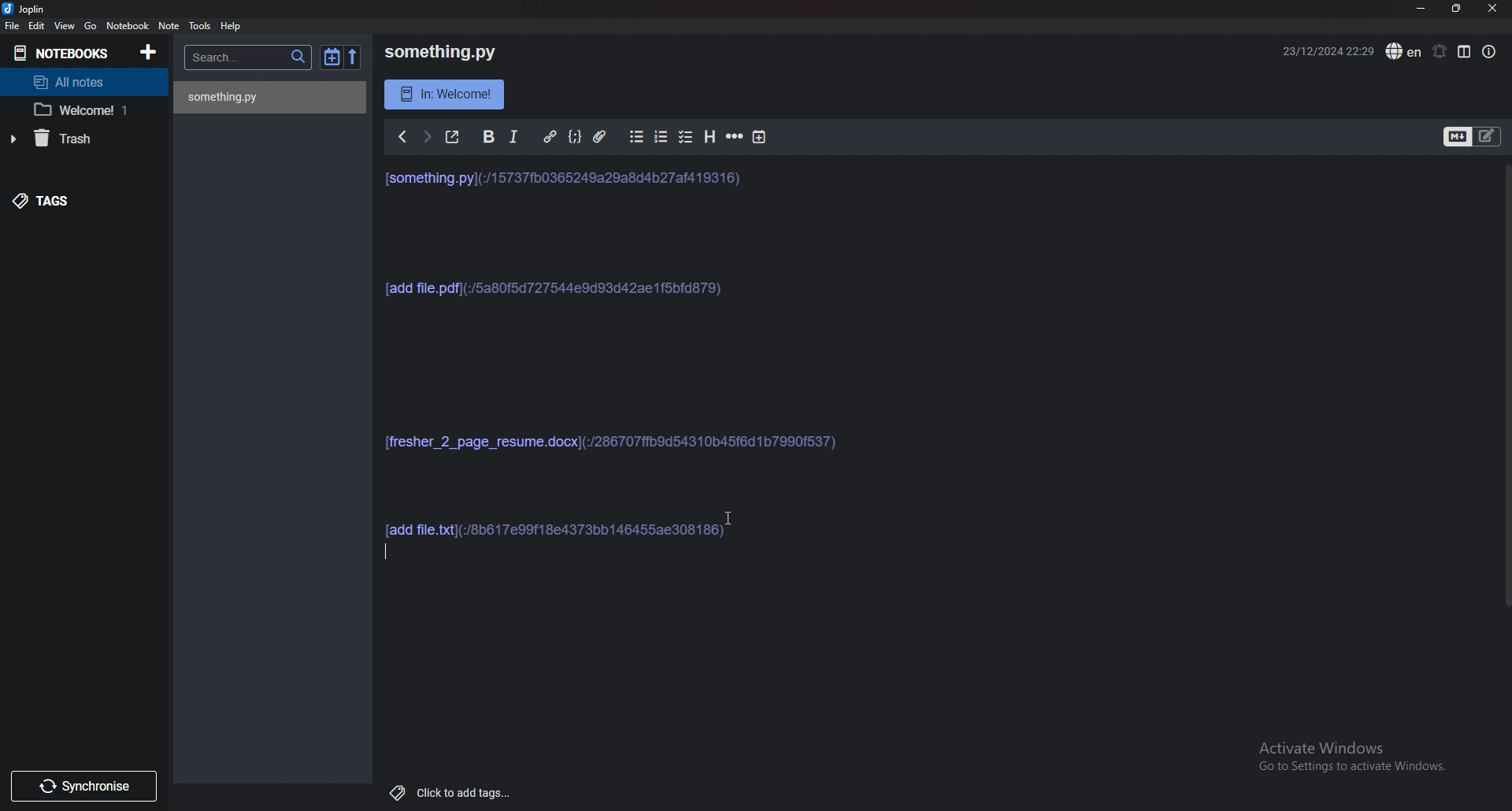 Image resolution: width=1512 pixels, height=811 pixels. What do you see at coordinates (59, 50) in the screenshot?
I see `Notebooks` at bounding box center [59, 50].